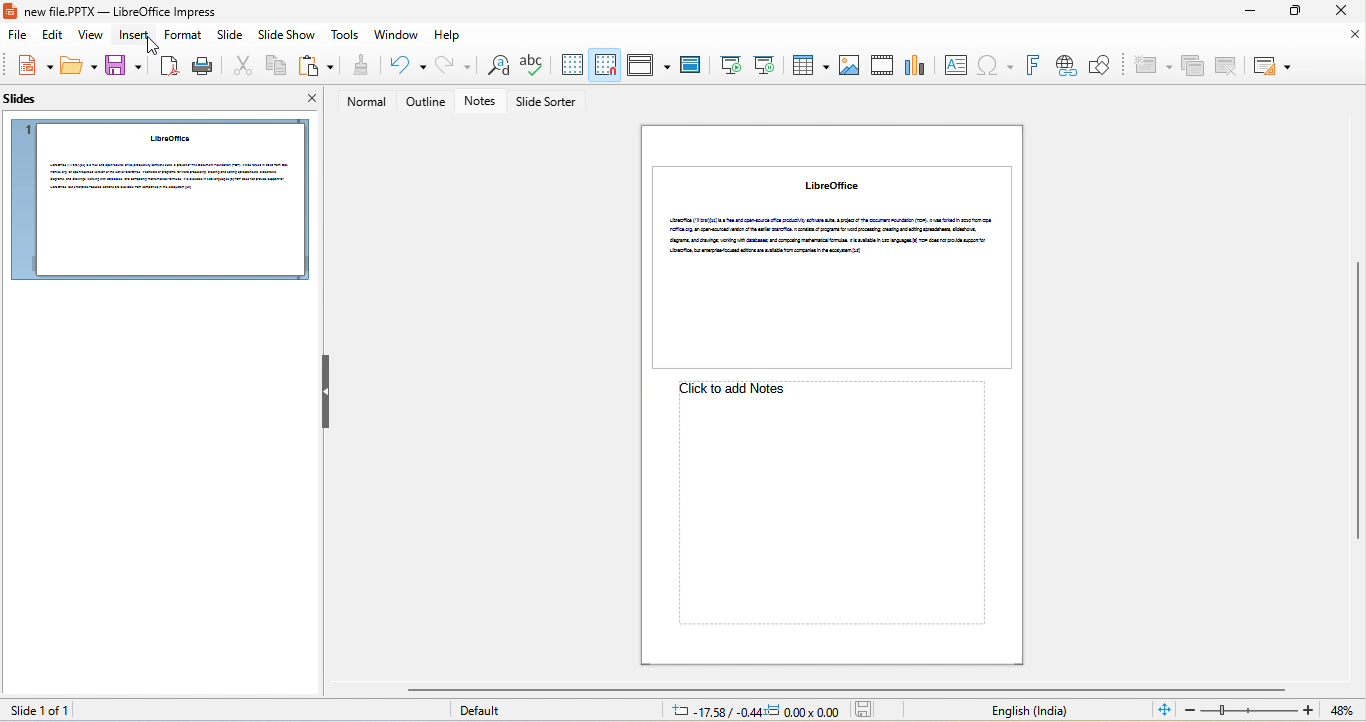 The height and width of the screenshot is (722, 1366). I want to click on current zoom 71%, so click(1347, 711).